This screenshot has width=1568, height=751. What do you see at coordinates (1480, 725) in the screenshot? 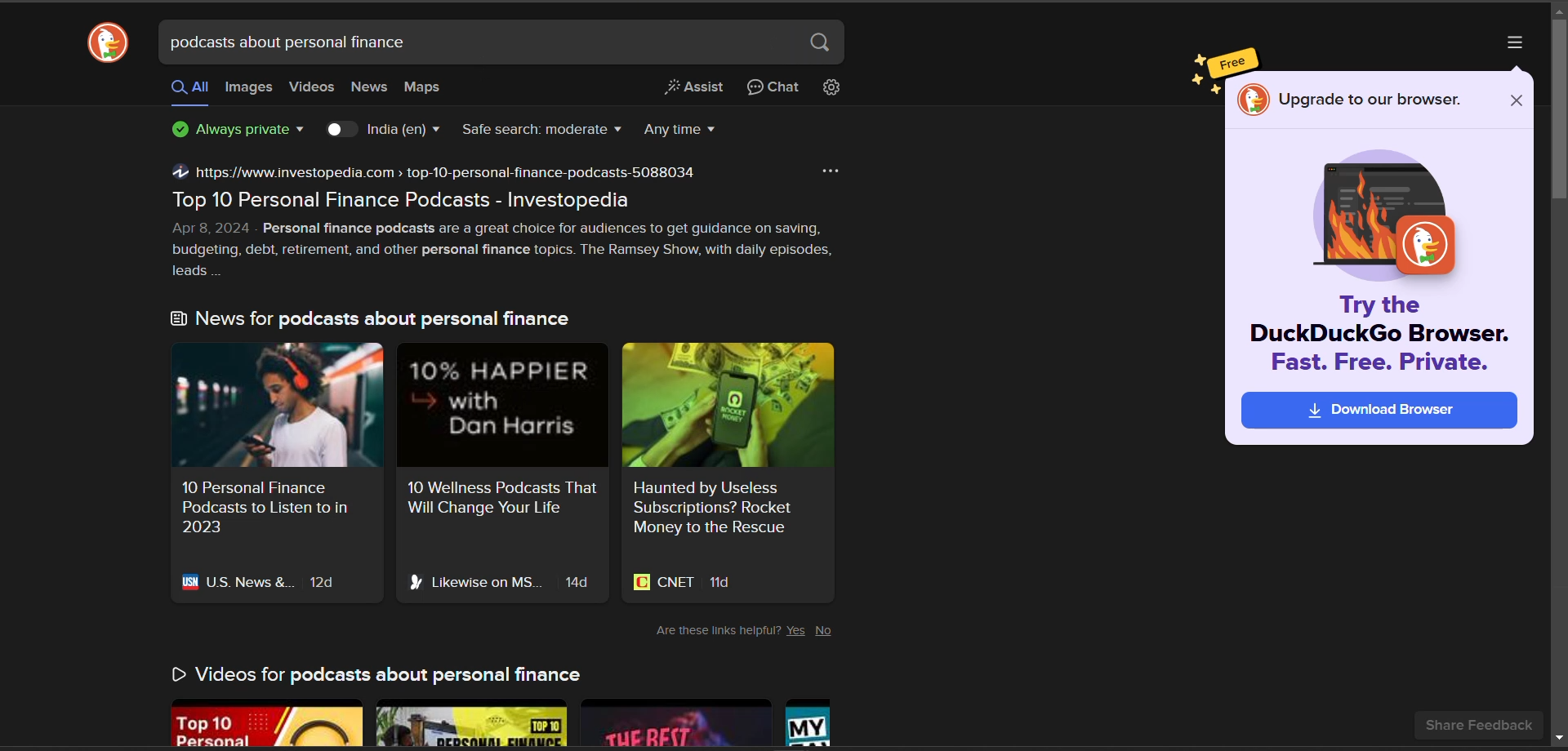
I see `share feedback` at bounding box center [1480, 725].